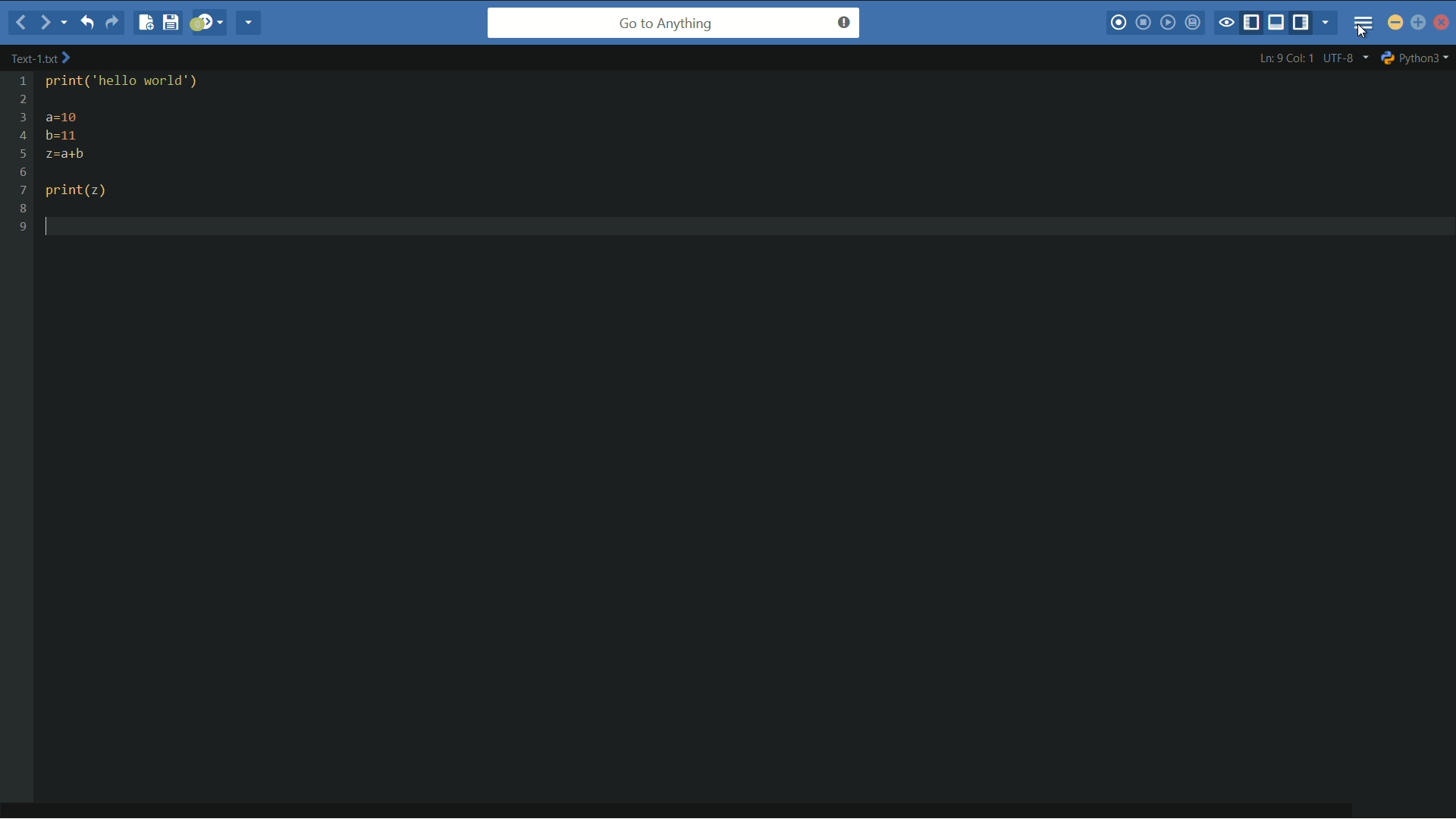 This screenshot has width=1456, height=819. I want to click on minimize, so click(1396, 24).